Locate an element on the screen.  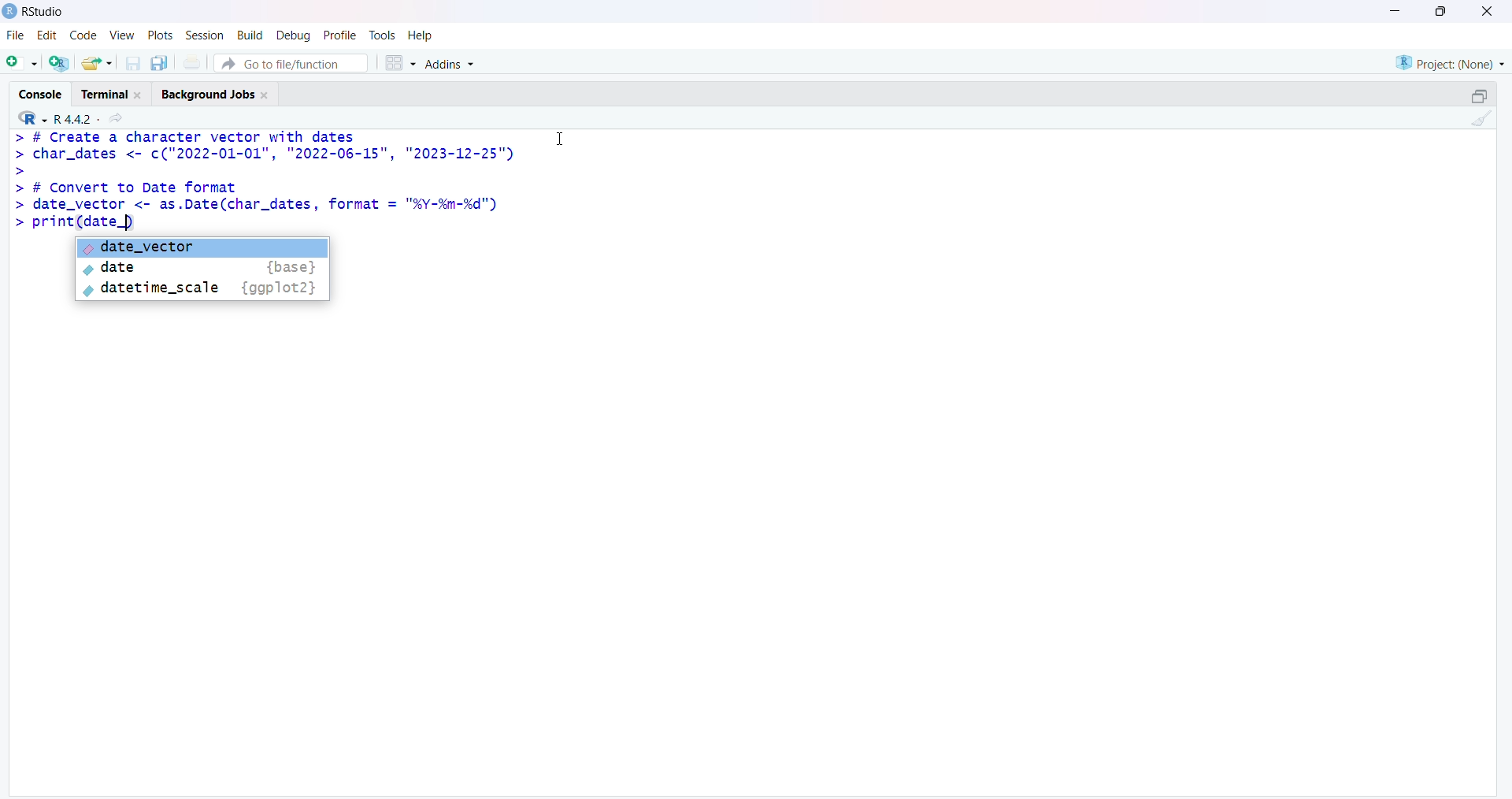
Close is located at coordinates (1484, 14).